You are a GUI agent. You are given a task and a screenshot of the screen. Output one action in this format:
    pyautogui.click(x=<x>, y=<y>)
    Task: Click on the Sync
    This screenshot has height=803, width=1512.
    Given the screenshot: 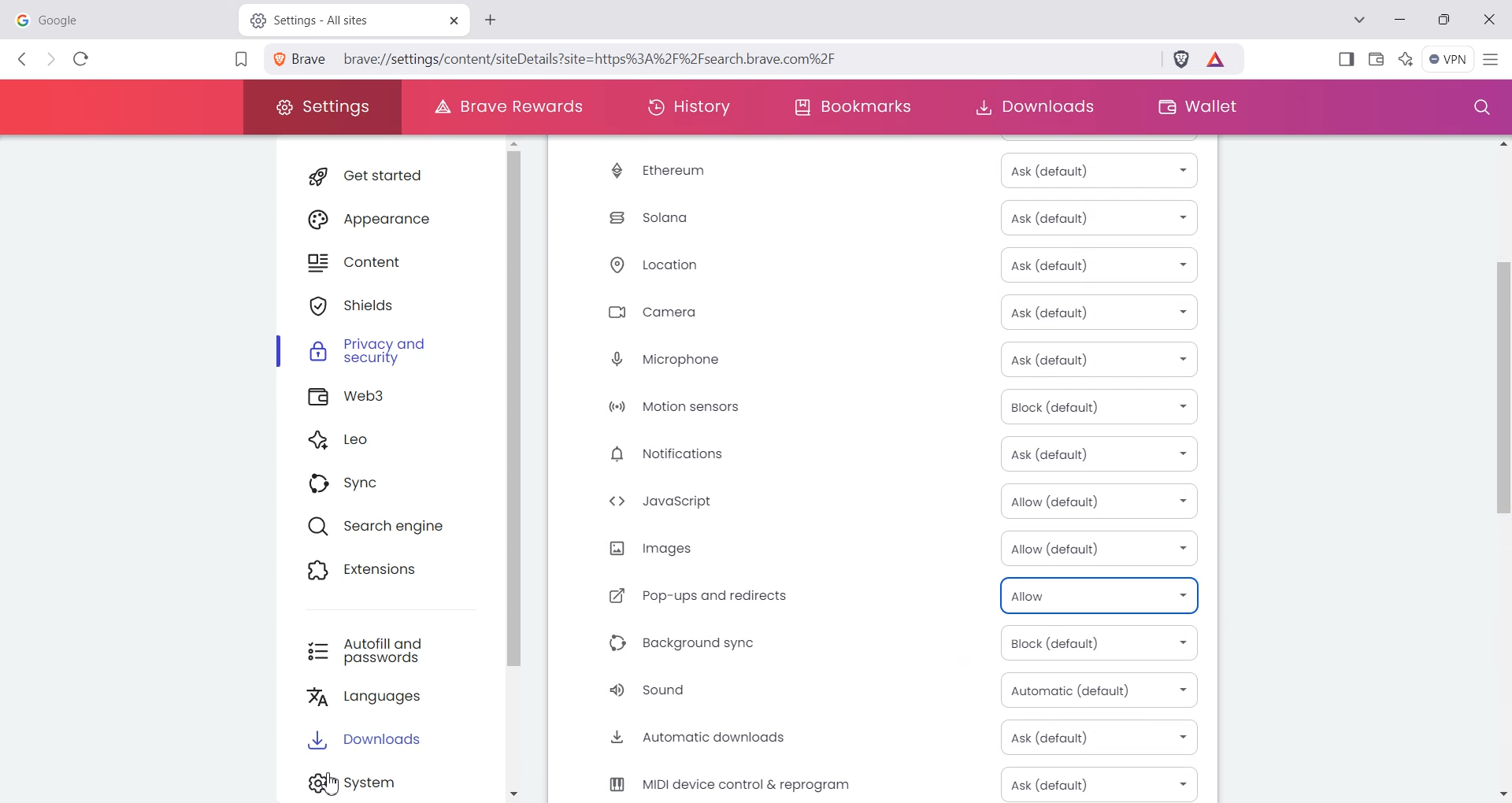 What is the action you would take?
    pyautogui.click(x=387, y=485)
    